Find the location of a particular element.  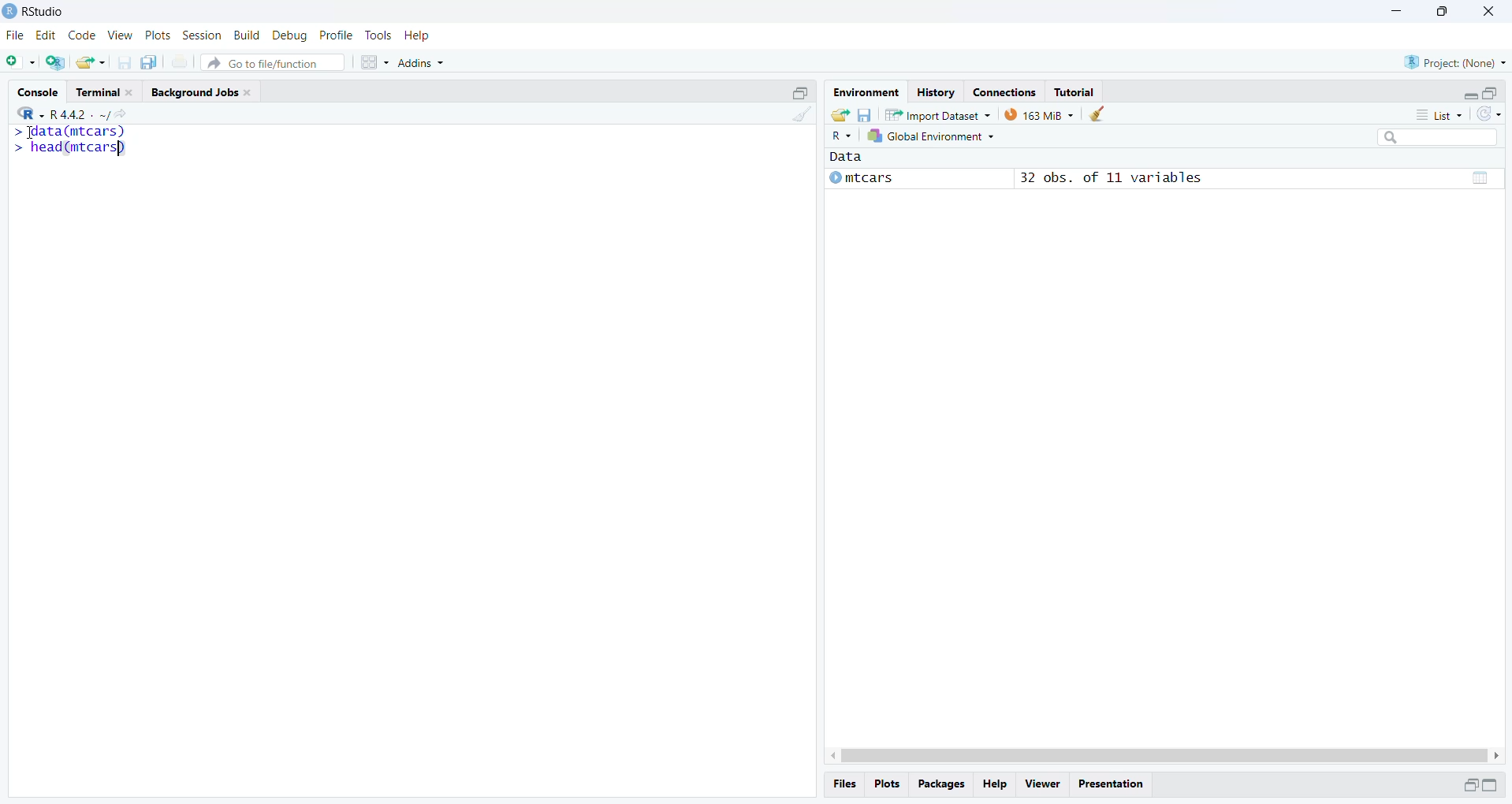

Terminal is located at coordinates (98, 92).